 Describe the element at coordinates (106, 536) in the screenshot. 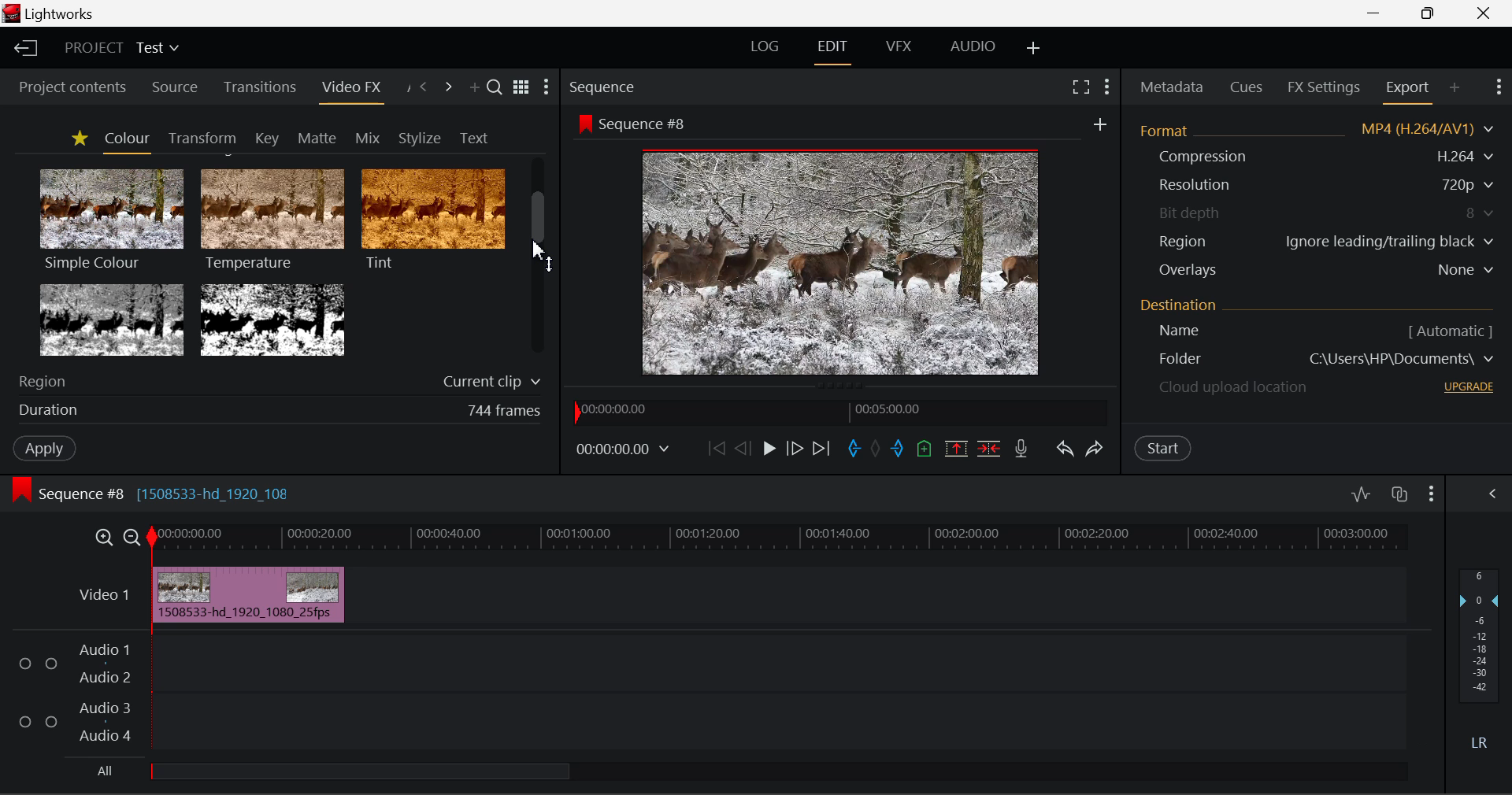

I see `Timeline Zoom In` at that location.